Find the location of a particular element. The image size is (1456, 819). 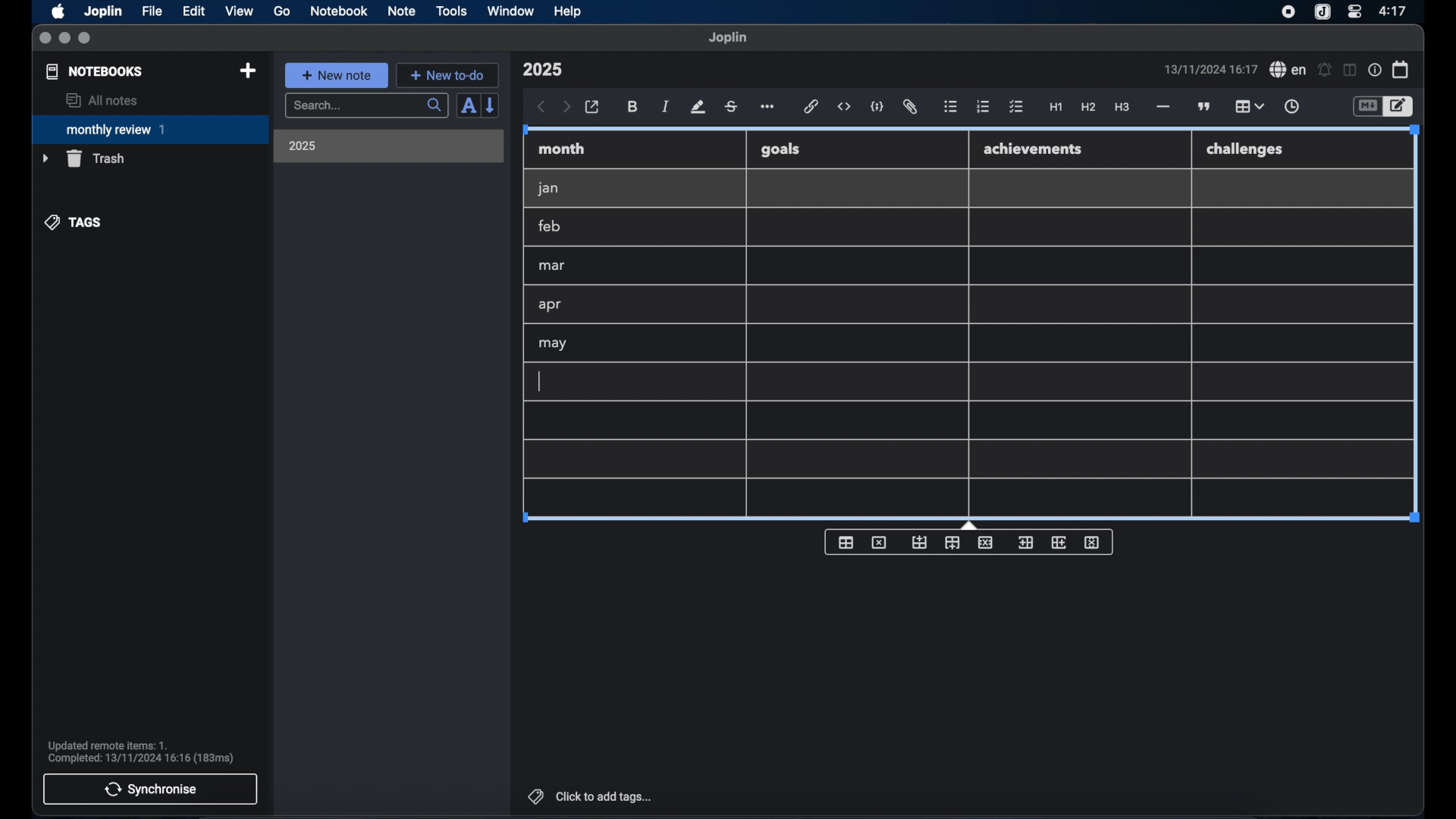

horizontal rule is located at coordinates (1162, 107).